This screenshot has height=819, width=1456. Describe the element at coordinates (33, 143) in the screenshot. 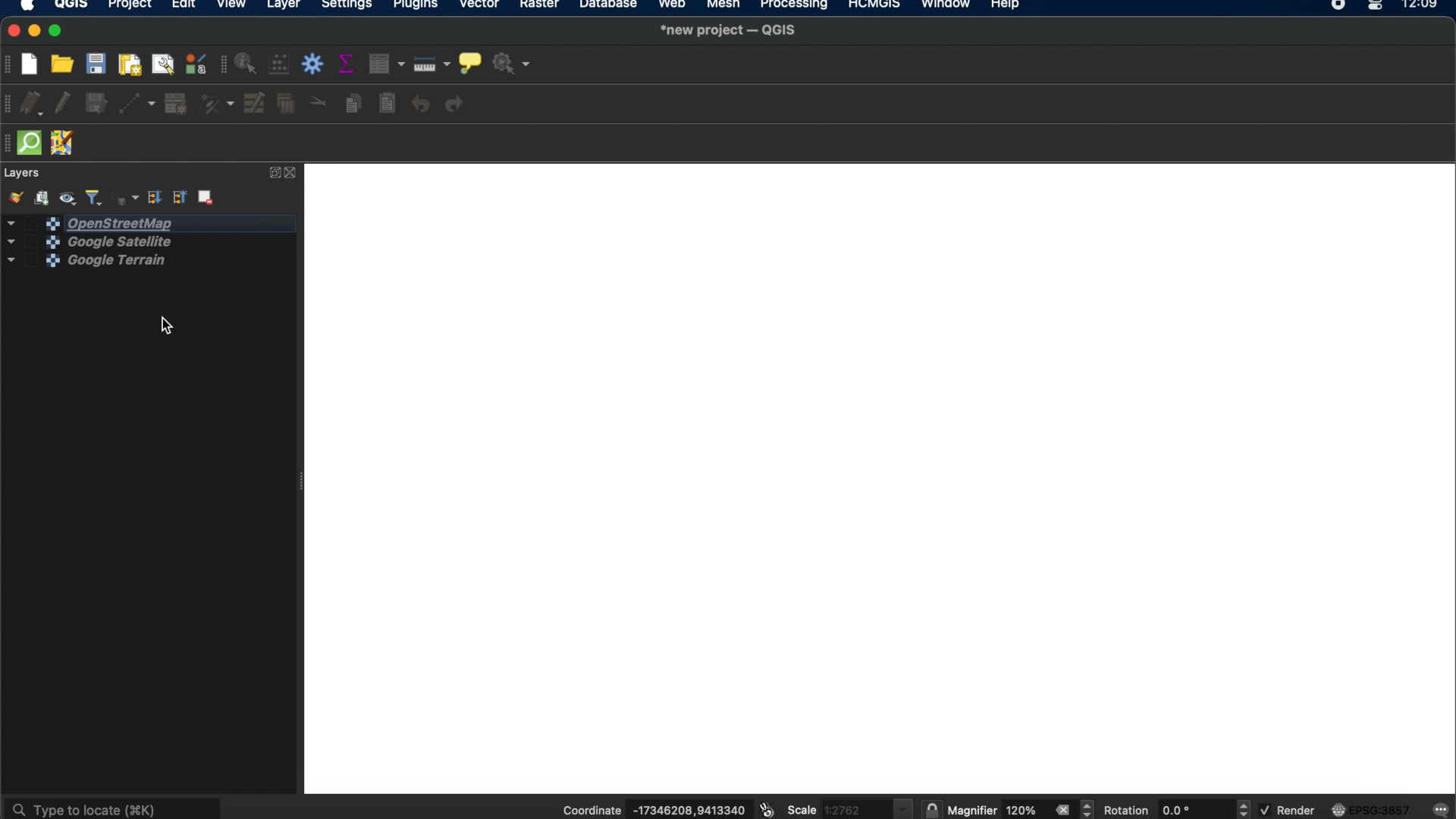

I see `quickOSm` at that location.